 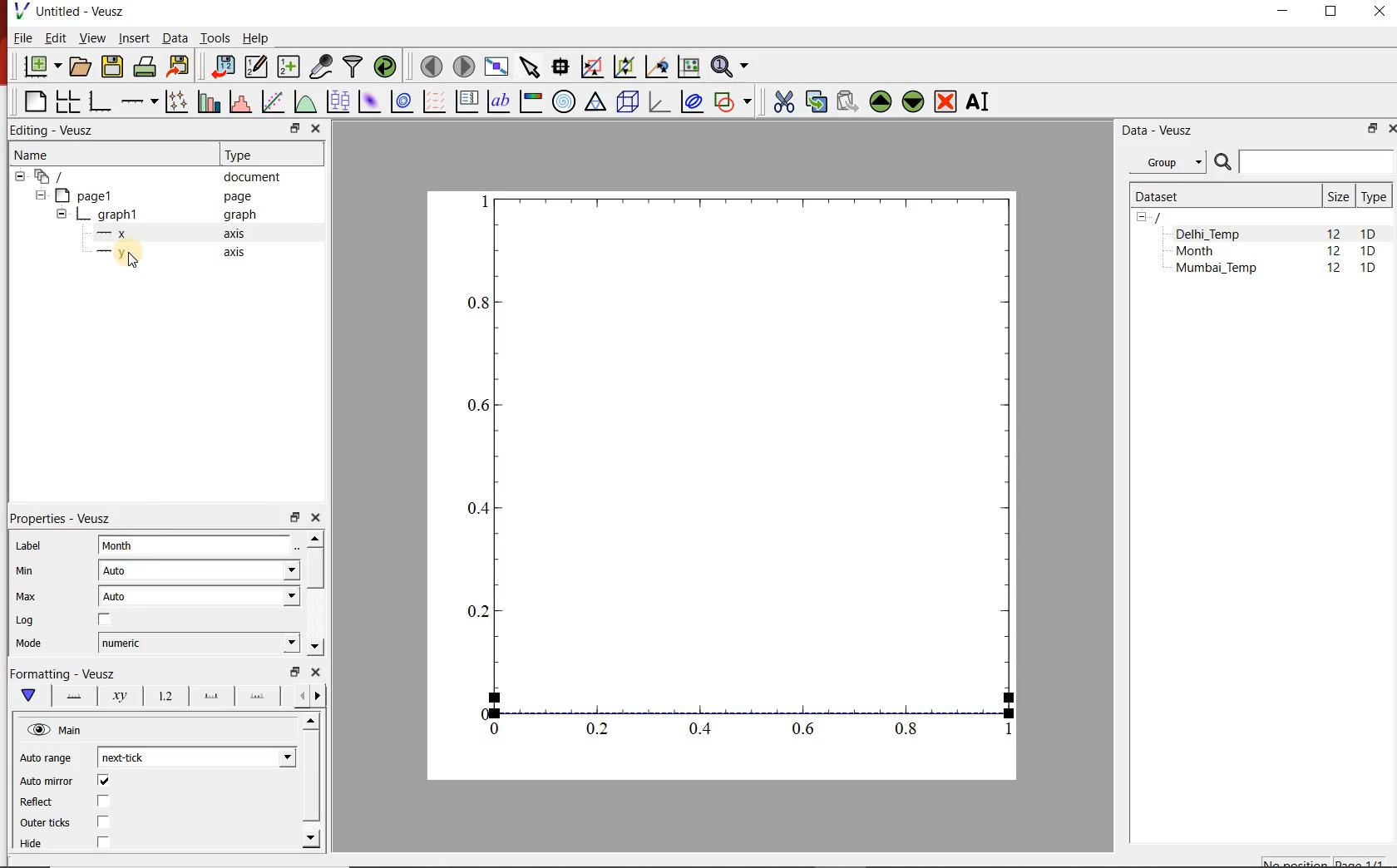 What do you see at coordinates (353, 67) in the screenshot?
I see `filter data` at bounding box center [353, 67].